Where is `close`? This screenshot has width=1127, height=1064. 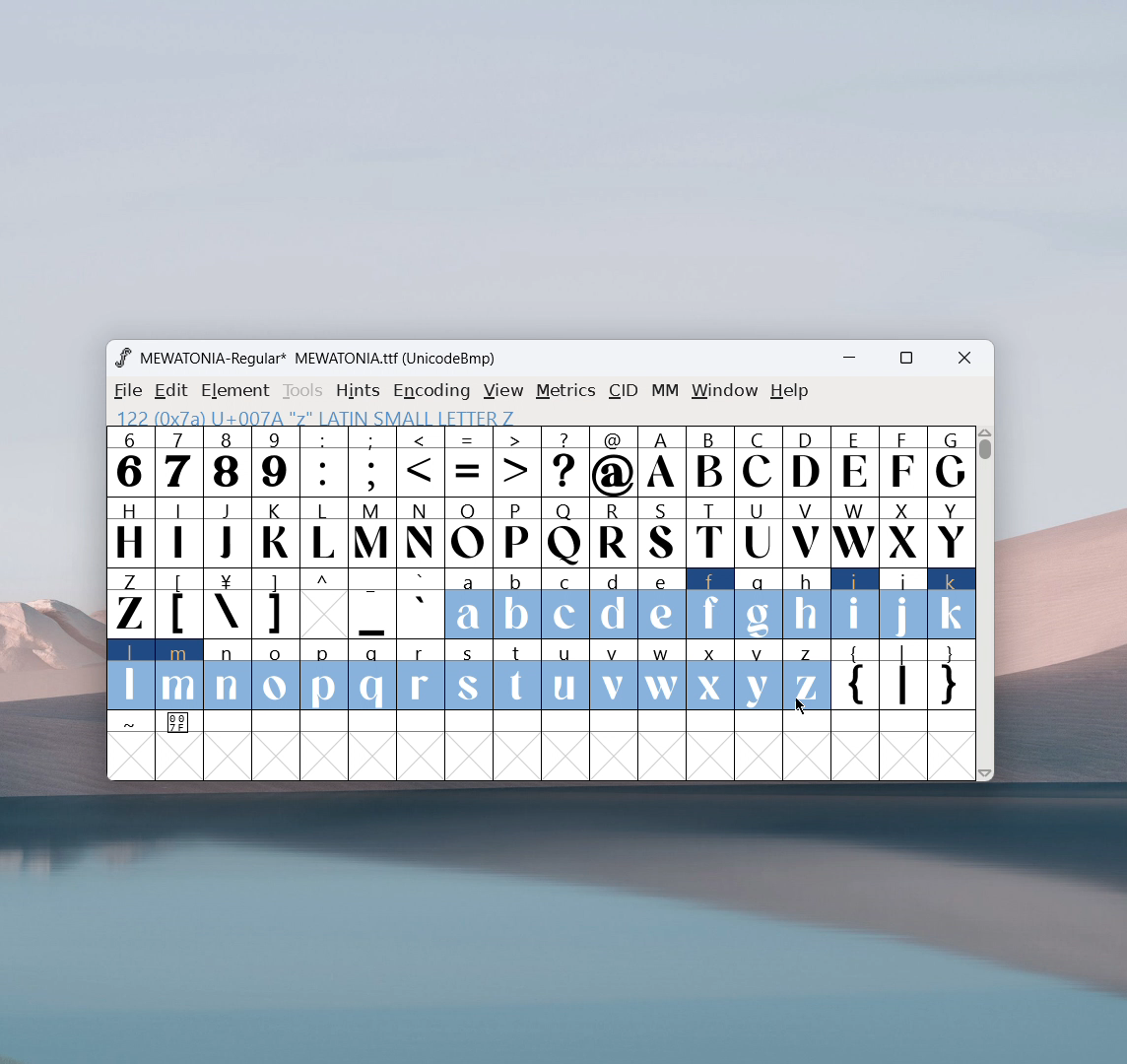 close is located at coordinates (964, 359).